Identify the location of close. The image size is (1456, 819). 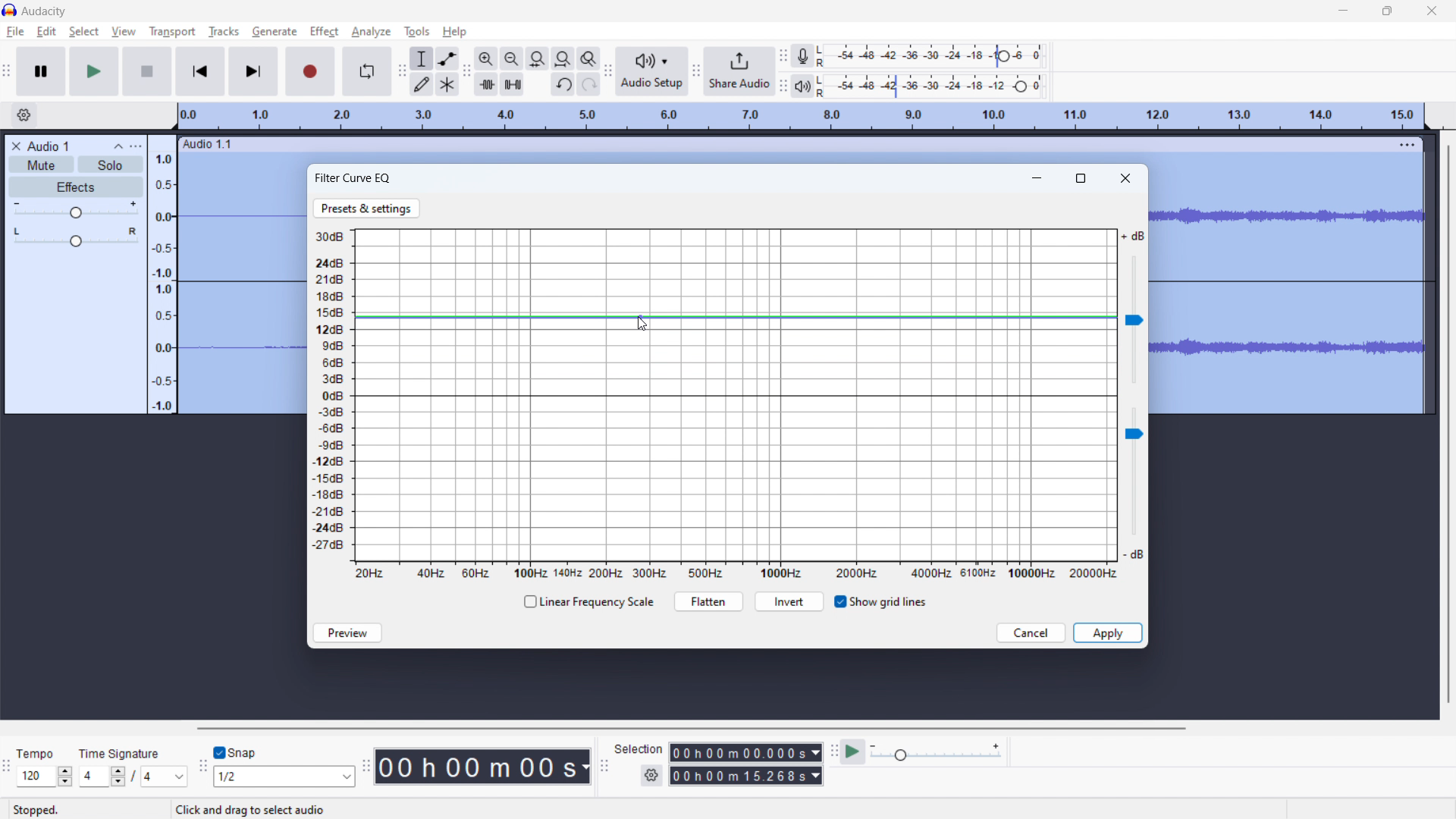
(1126, 177).